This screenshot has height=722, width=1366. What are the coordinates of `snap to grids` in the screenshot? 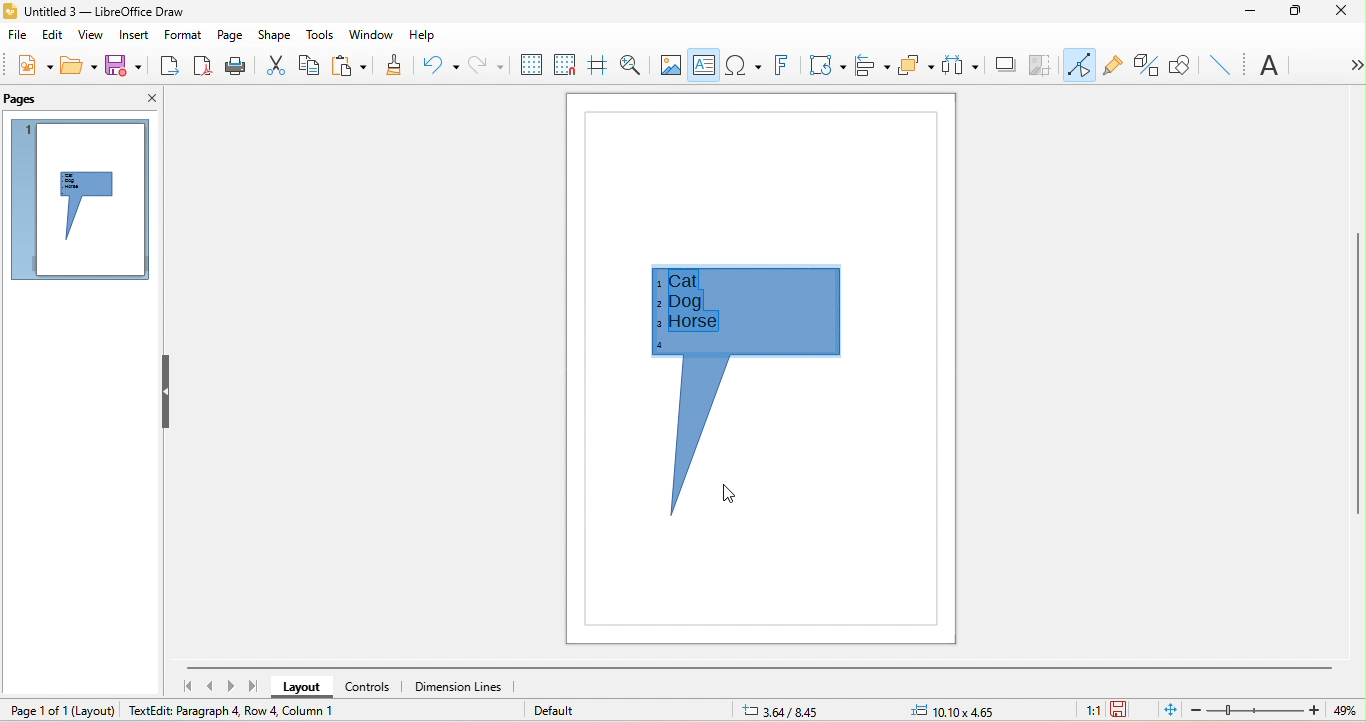 It's located at (565, 67).